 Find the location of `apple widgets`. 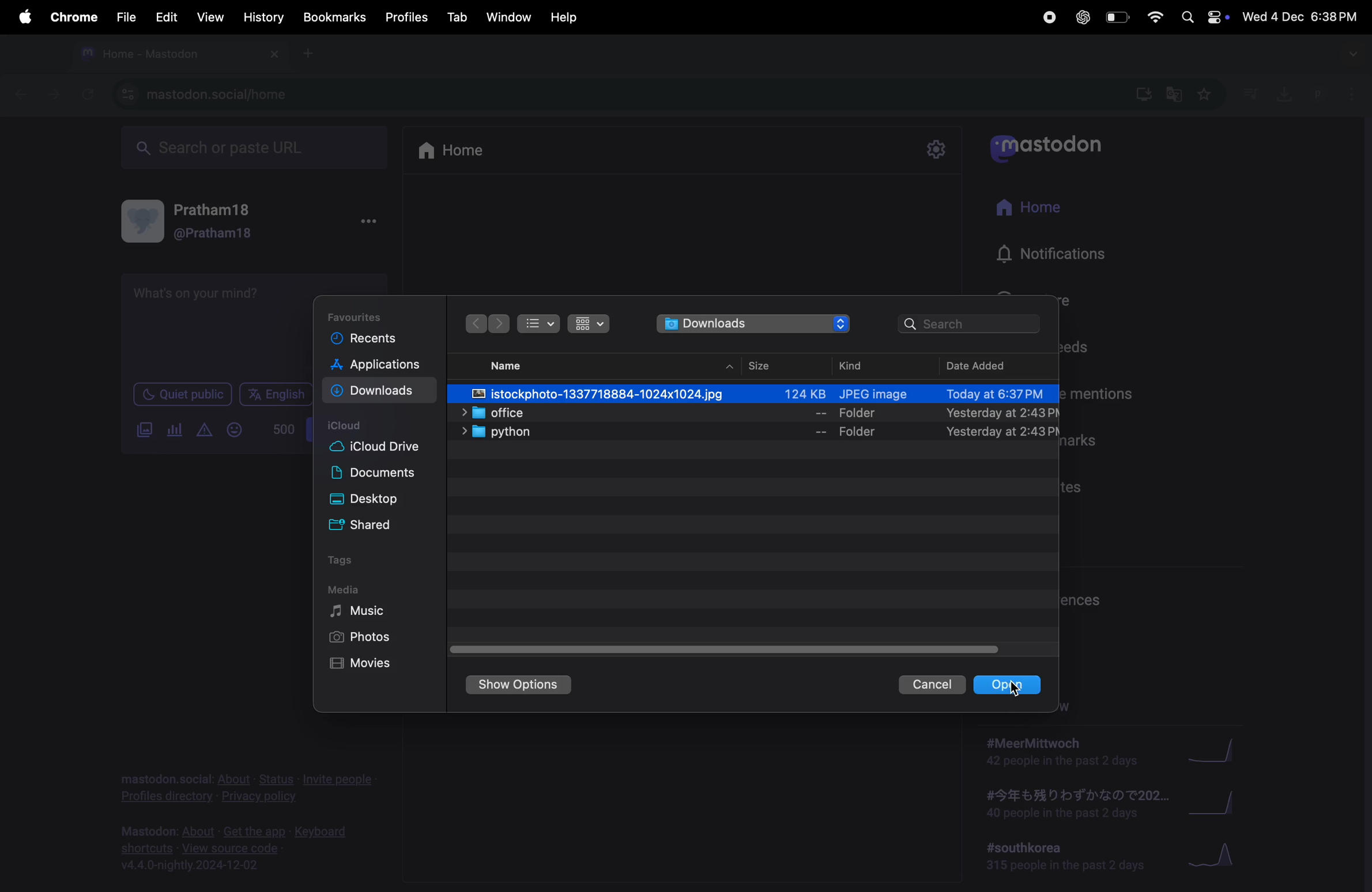

apple widgets is located at coordinates (1204, 17).